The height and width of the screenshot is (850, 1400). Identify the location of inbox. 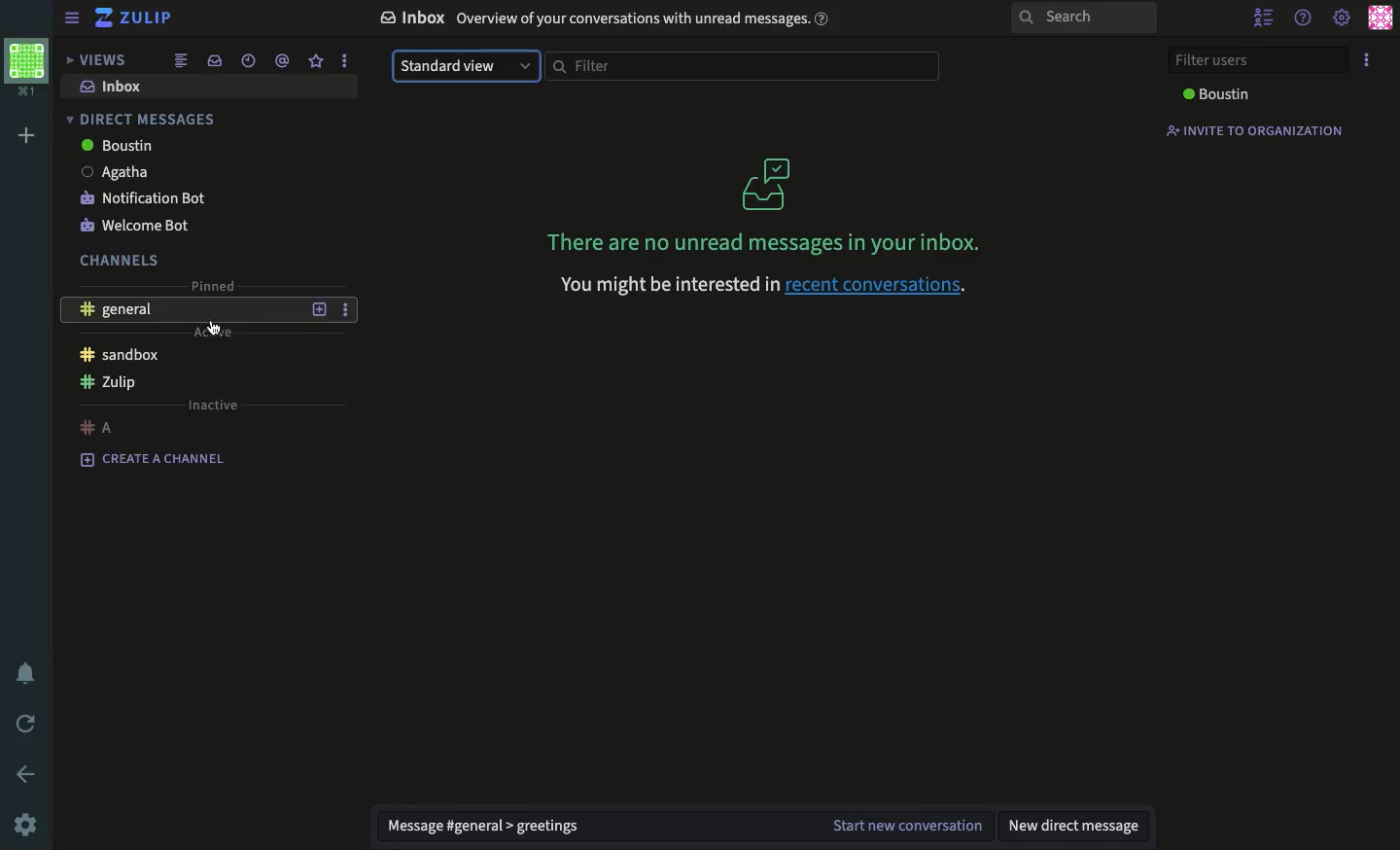
(115, 88).